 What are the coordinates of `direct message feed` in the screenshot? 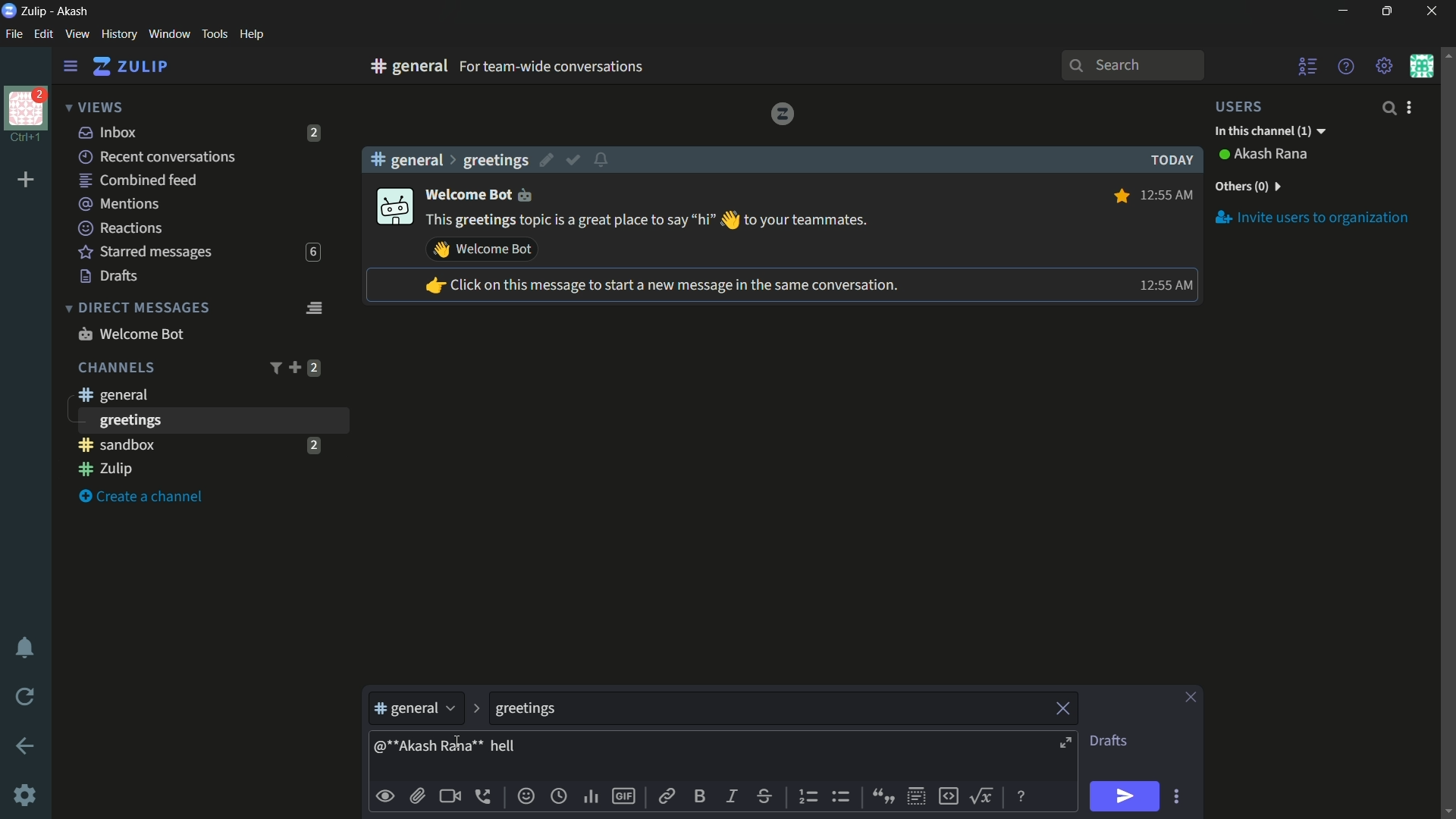 It's located at (313, 306).